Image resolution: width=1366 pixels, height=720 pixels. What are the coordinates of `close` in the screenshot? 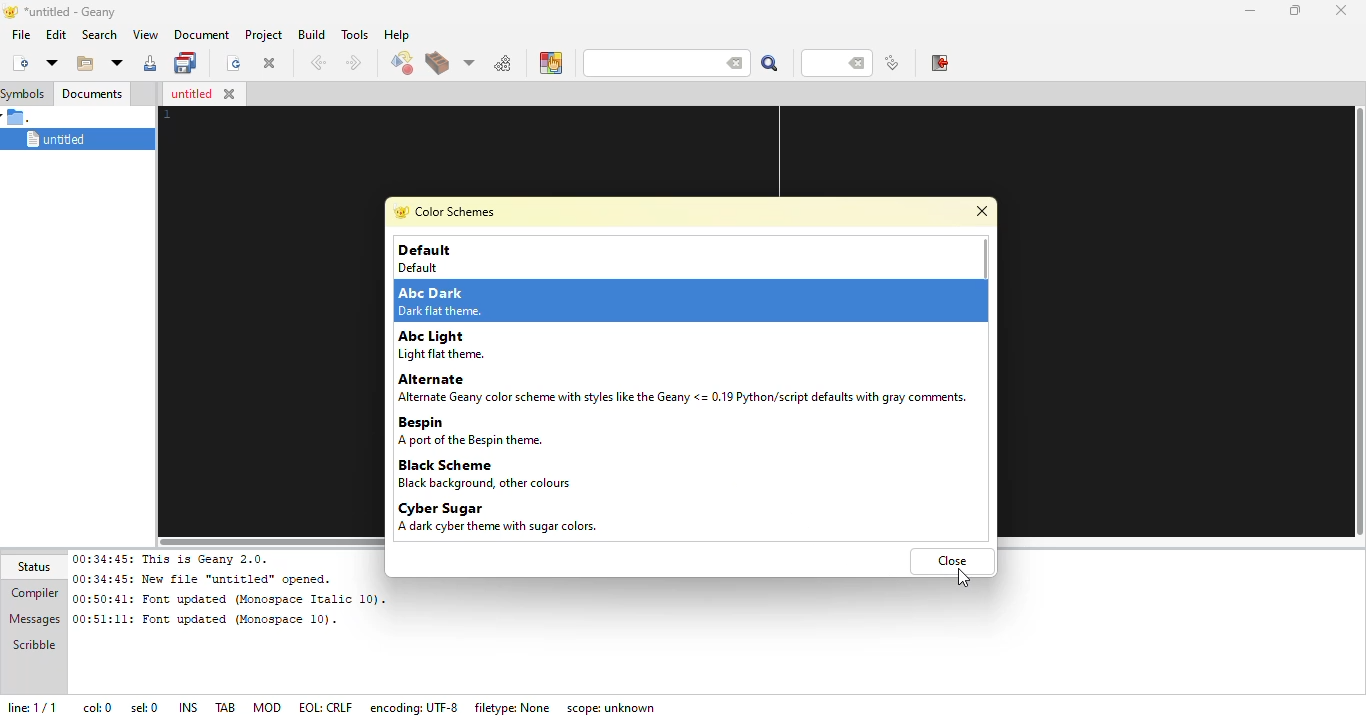 It's located at (954, 559).